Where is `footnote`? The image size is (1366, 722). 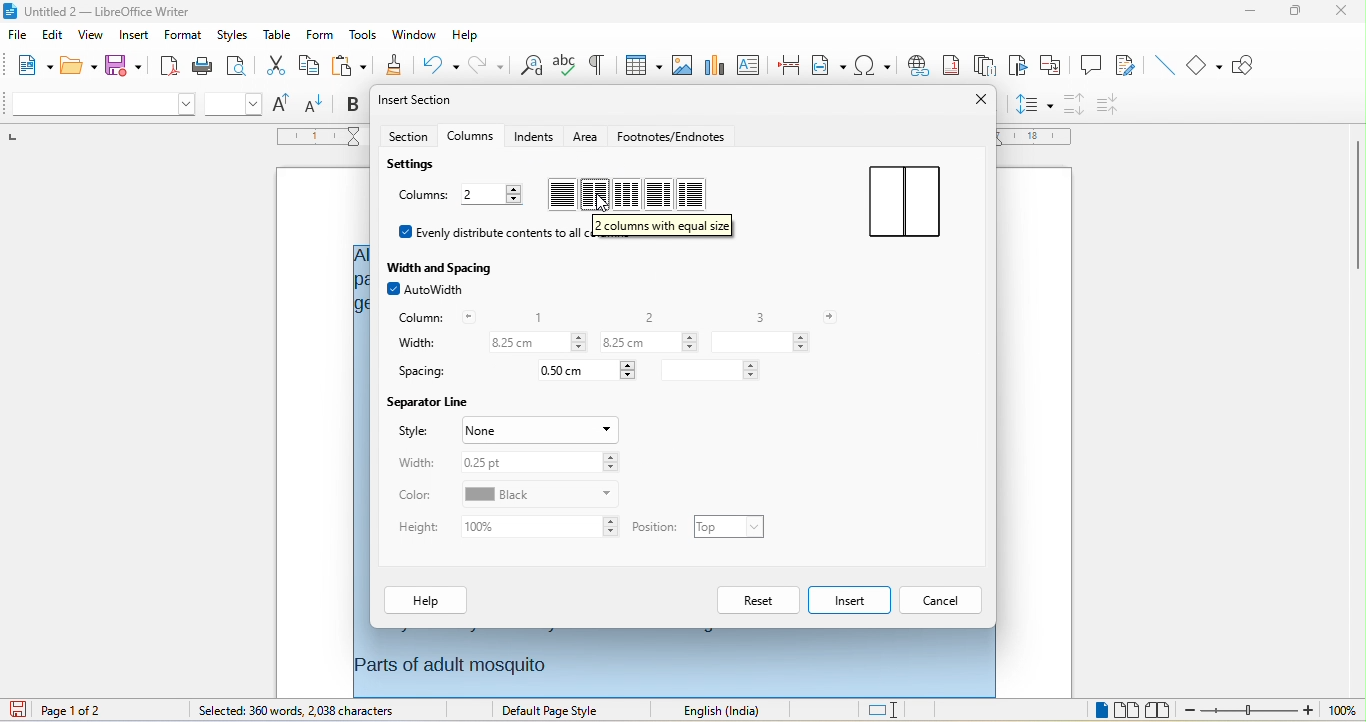
footnote is located at coordinates (954, 67).